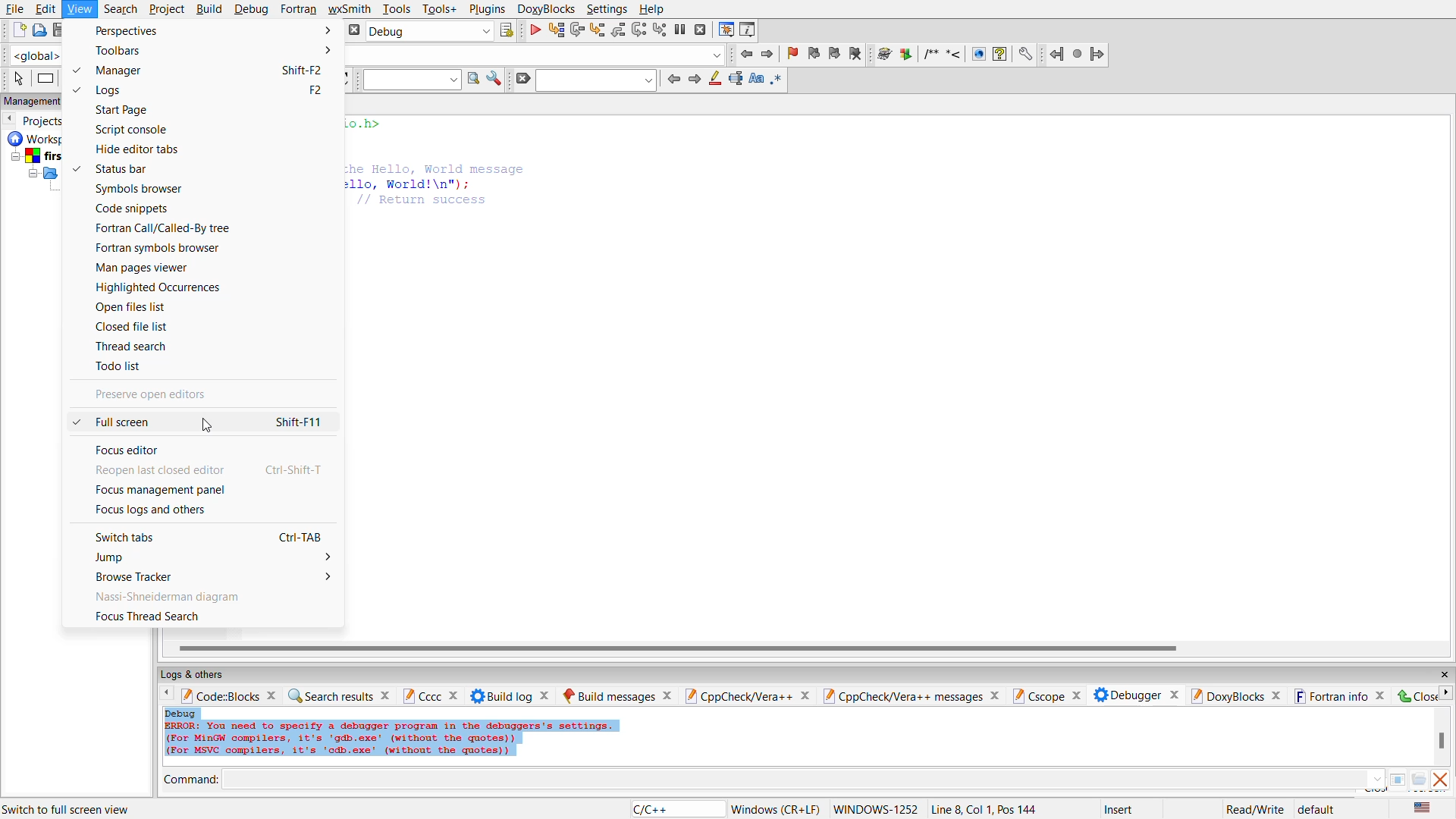 The image size is (1456, 819). Describe the element at coordinates (123, 368) in the screenshot. I see `todo list` at that location.